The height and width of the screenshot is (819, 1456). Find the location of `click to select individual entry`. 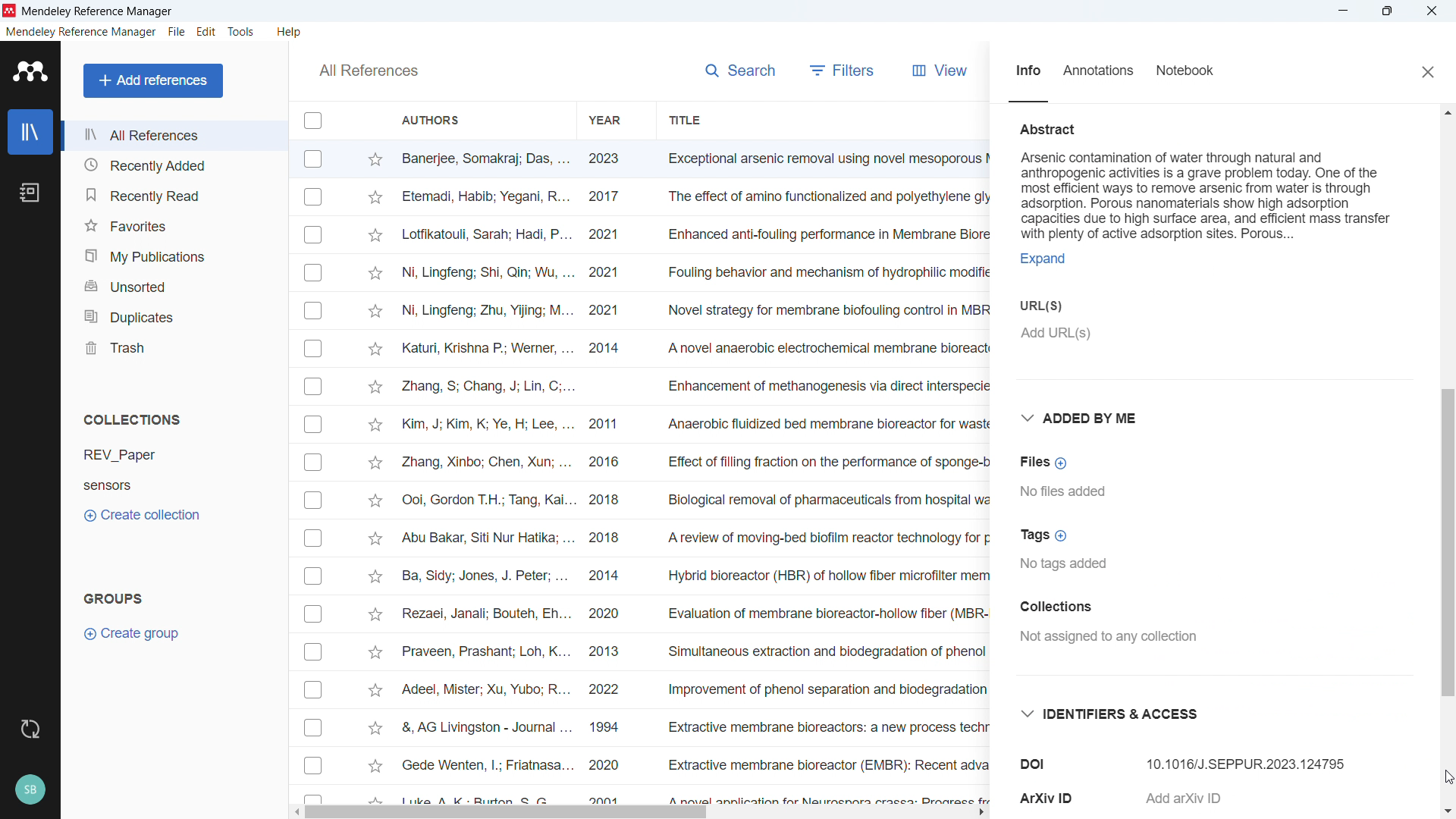

click to select individual entry is located at coordinates (312, 654).